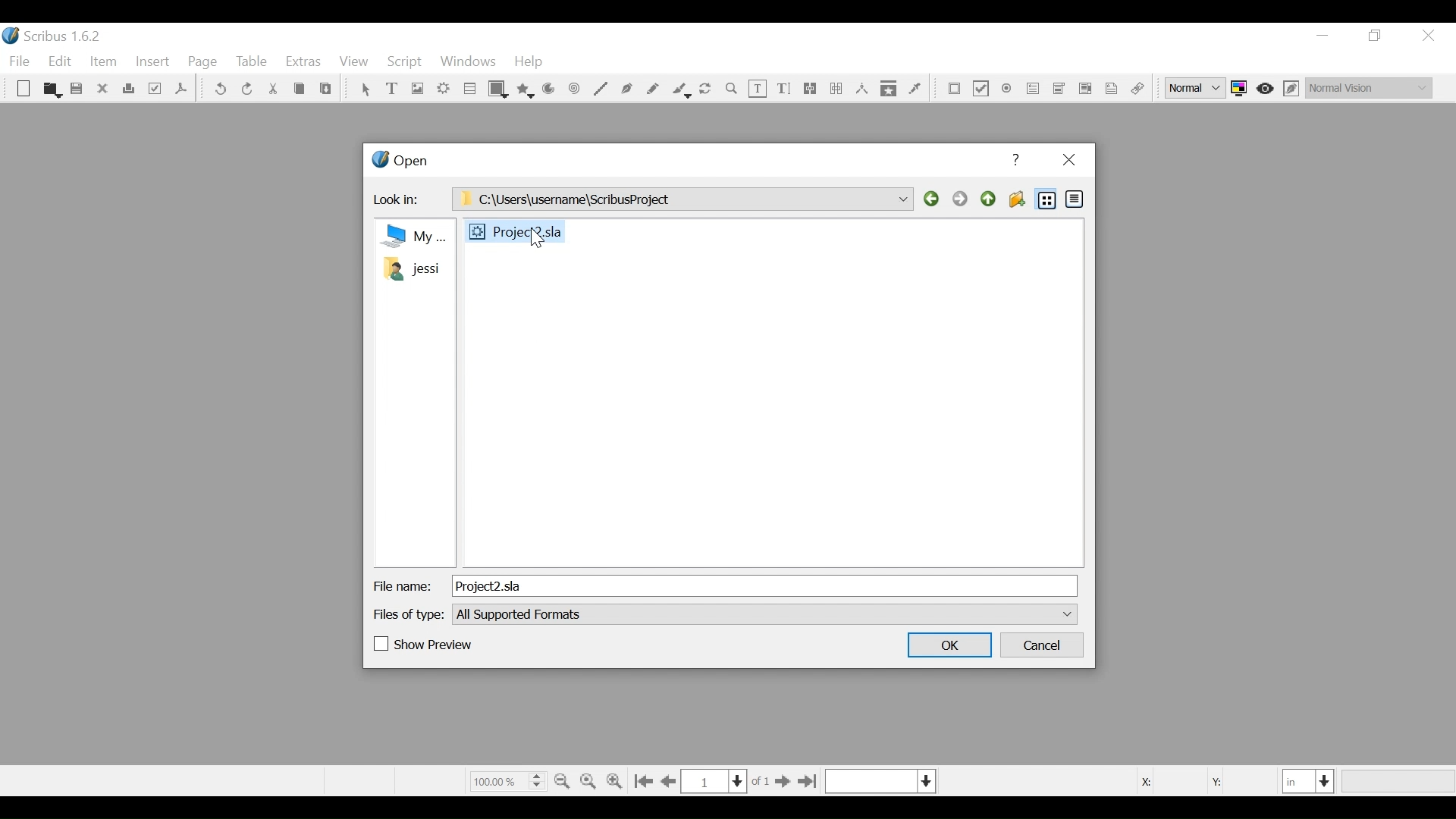  I want to click on Table, so click(470, 90).